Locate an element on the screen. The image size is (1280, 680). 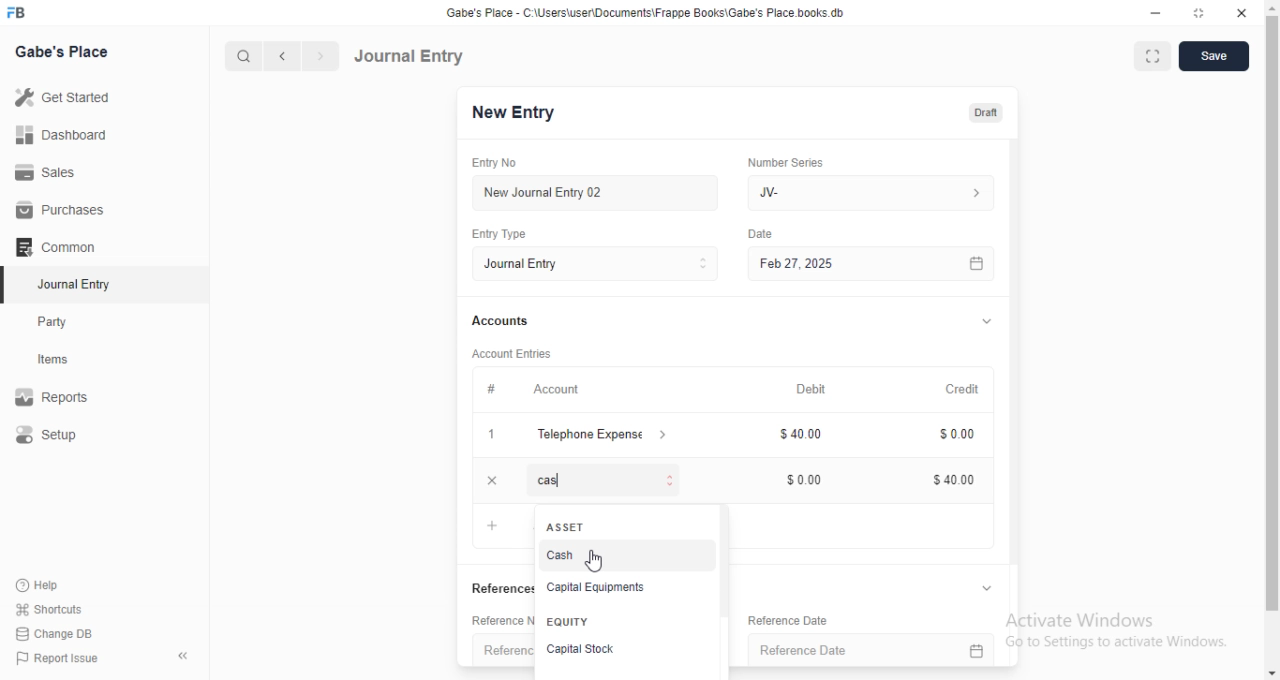
Search is located at coordinates (239, 56).